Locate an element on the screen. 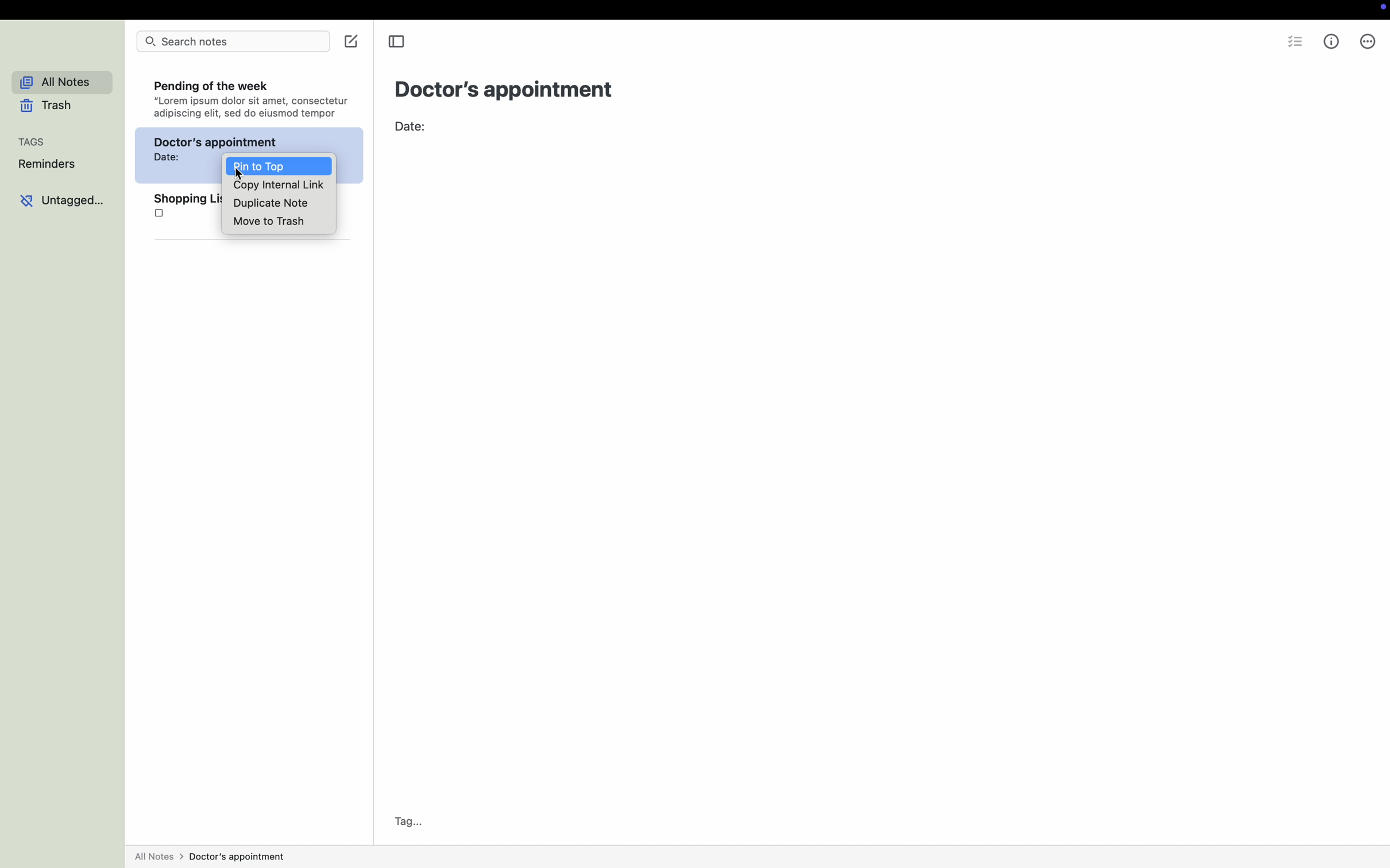 The height and width of the screenshot is (868, 1390). duplicate note is located at coordinates (273, 203).